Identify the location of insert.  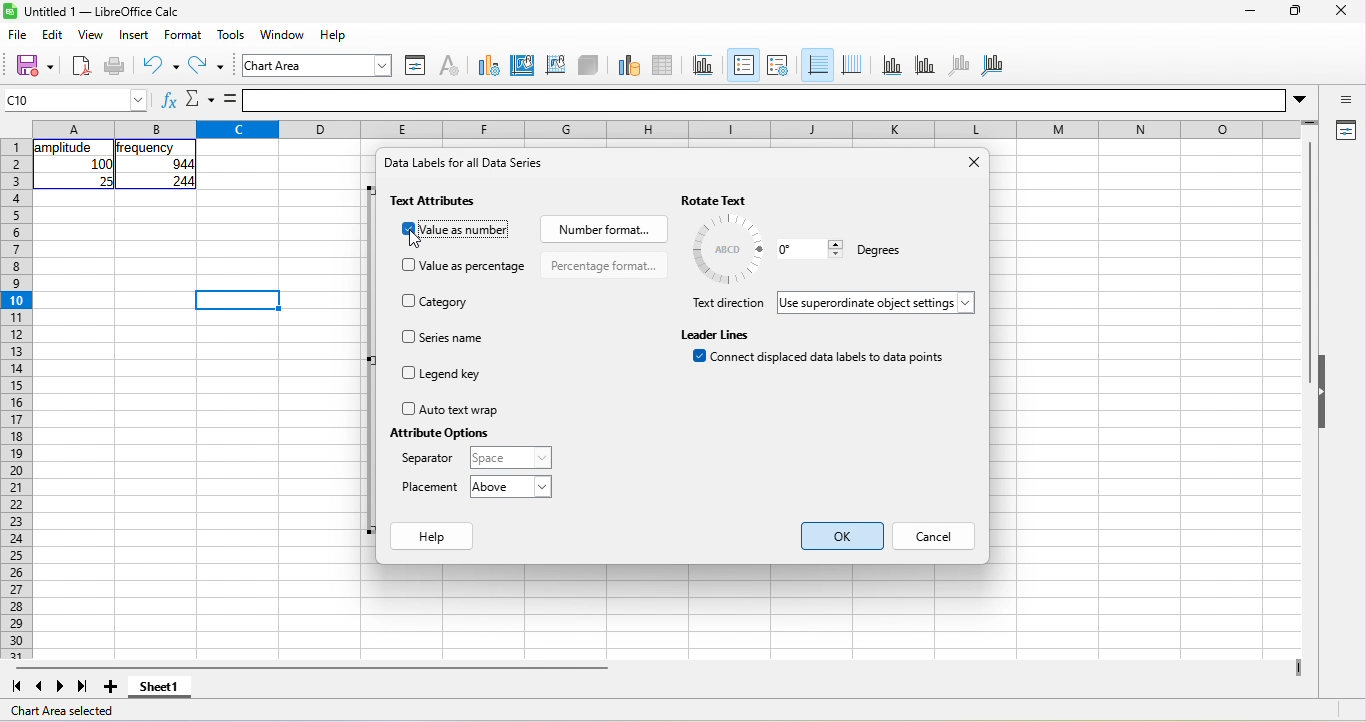
(134, 35).